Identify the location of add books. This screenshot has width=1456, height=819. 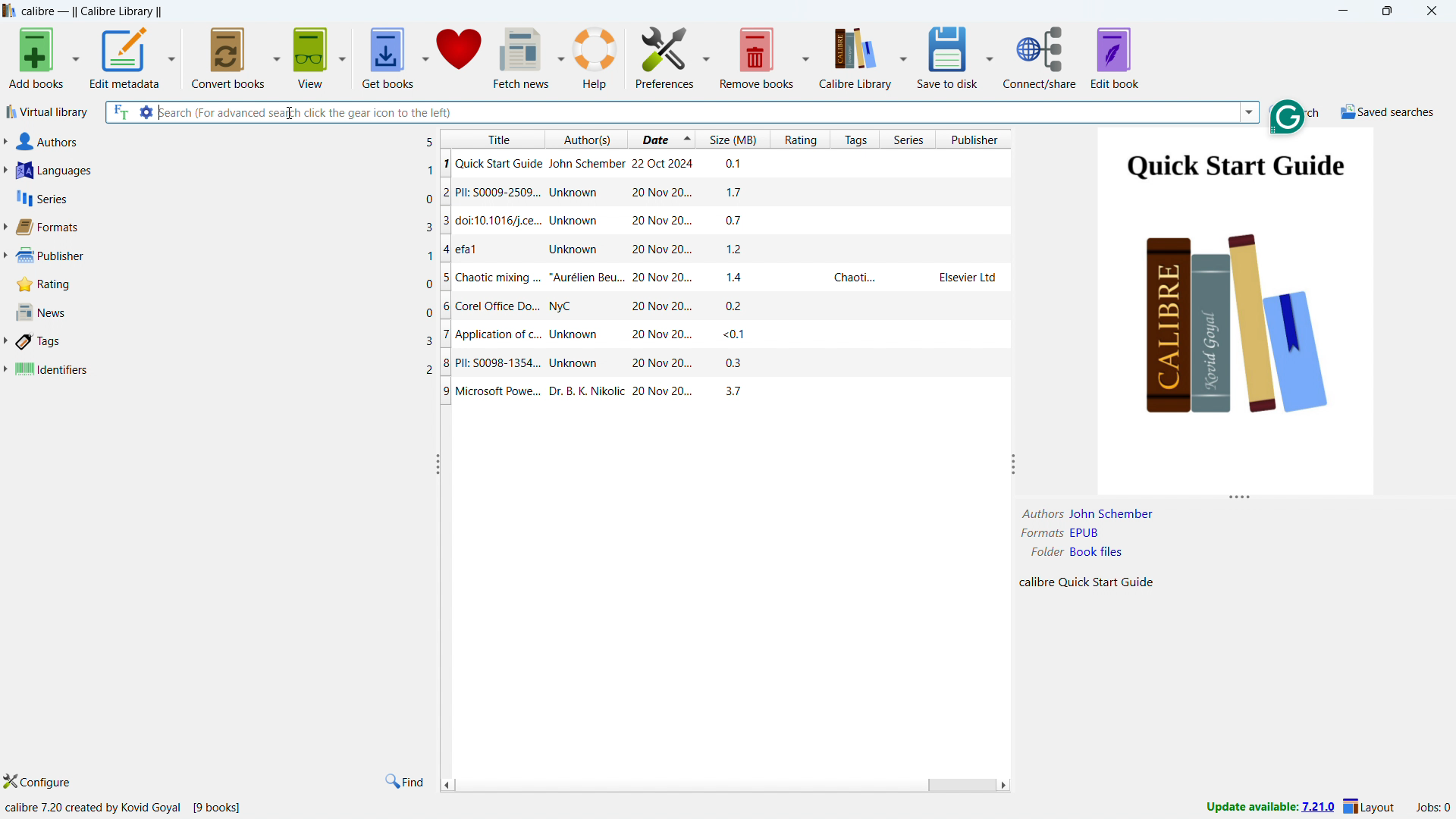
(35, 57).